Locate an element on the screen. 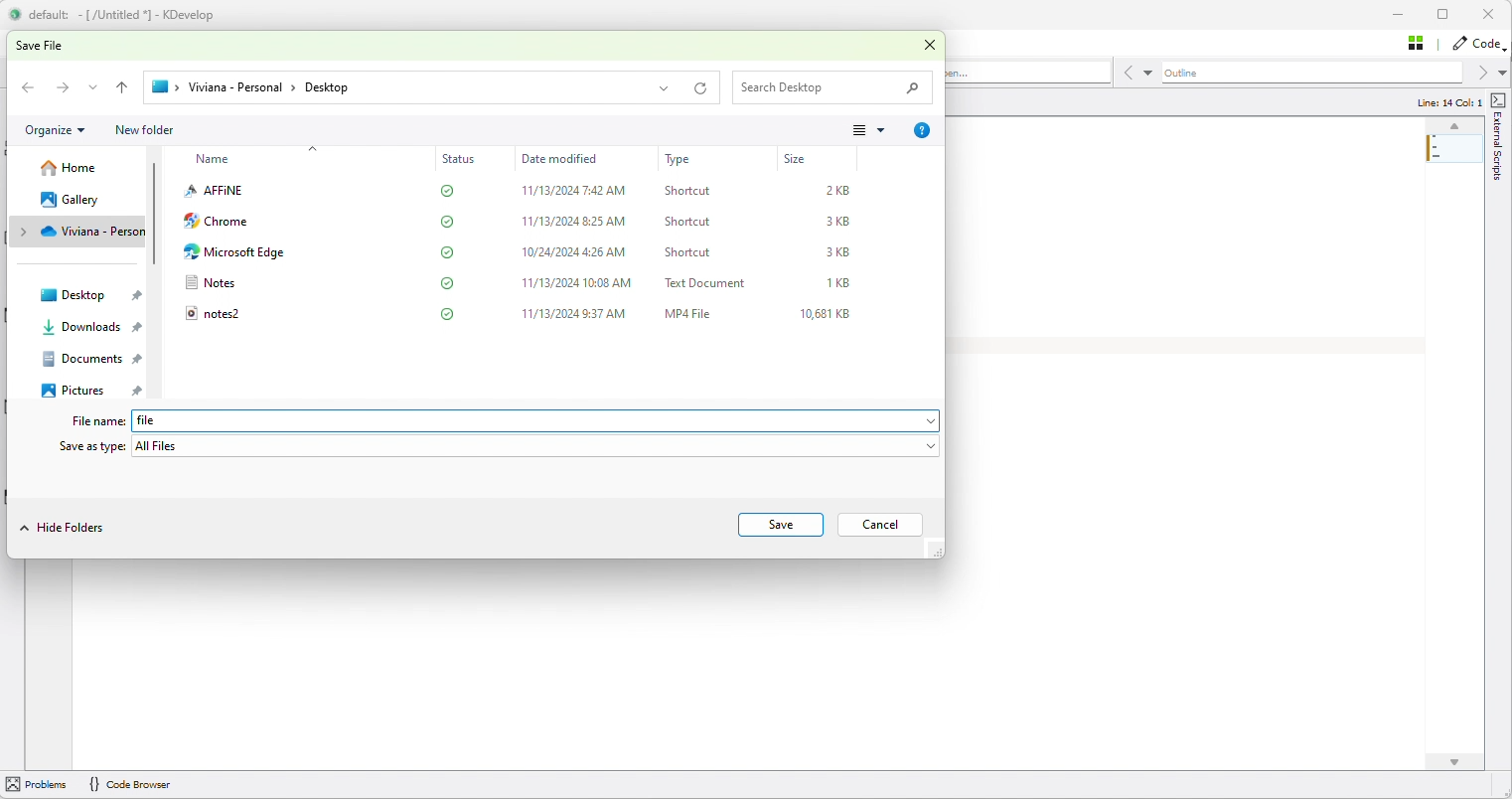 Image resolution: width=1512 pixels, height=799 pixels. Downloads is located at coordinates (87, 328).